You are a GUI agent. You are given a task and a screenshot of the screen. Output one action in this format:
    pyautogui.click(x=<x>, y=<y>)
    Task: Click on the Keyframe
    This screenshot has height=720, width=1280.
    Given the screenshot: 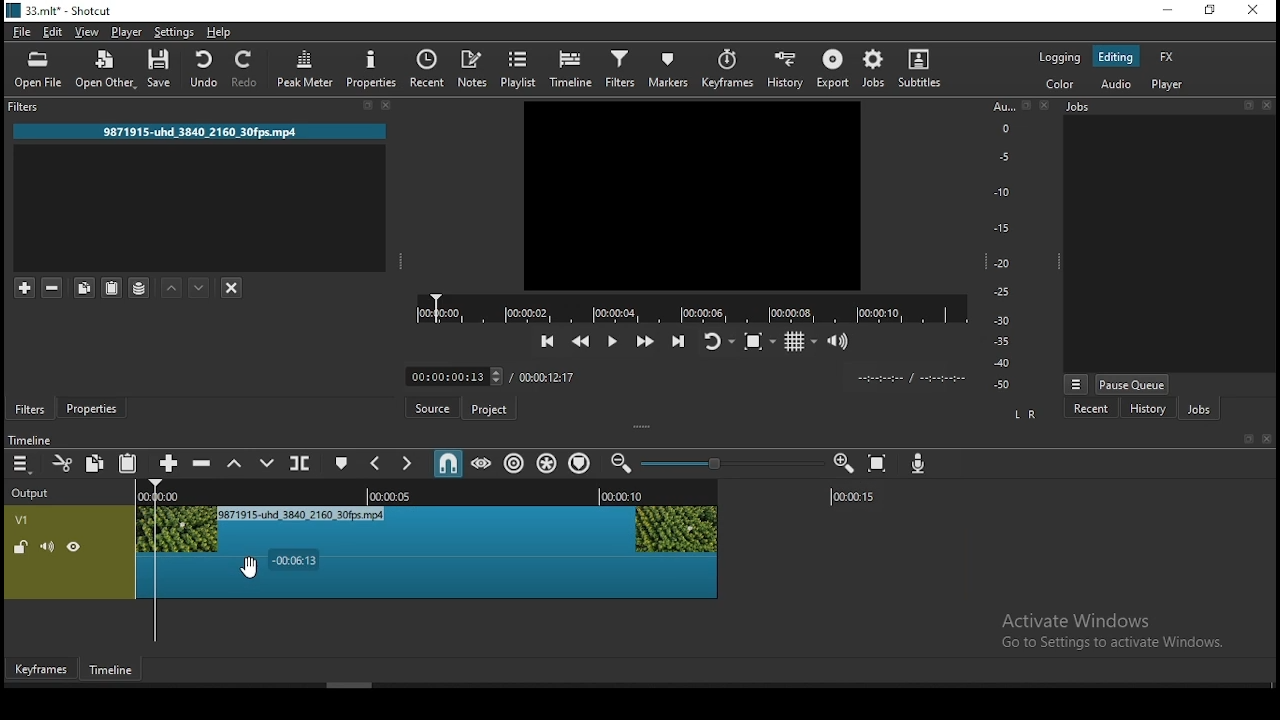 What is the action you would take?
    pyautogui.click(x=43, y=670)
    